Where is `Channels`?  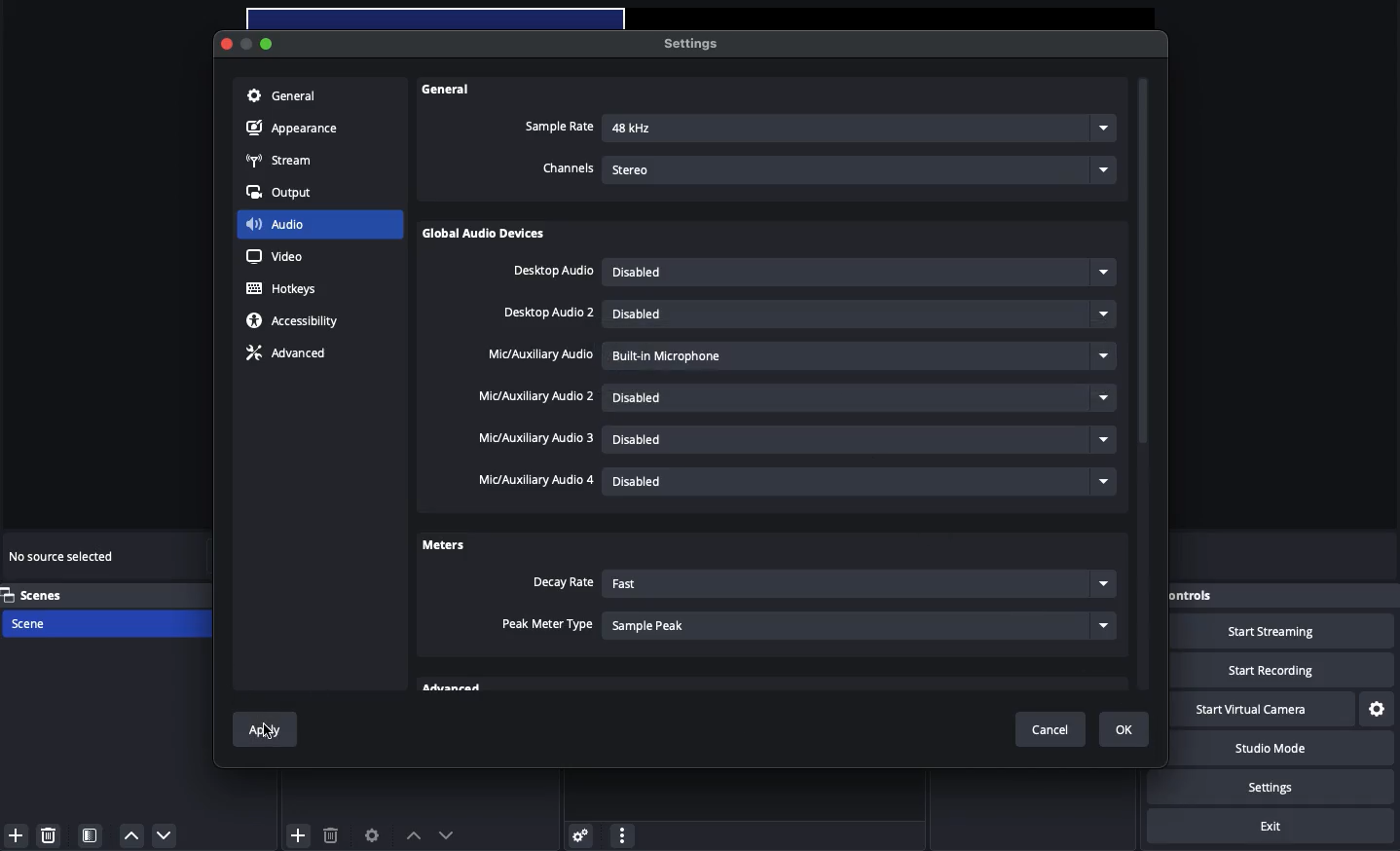
Channels is located at coordinates (569, 169).